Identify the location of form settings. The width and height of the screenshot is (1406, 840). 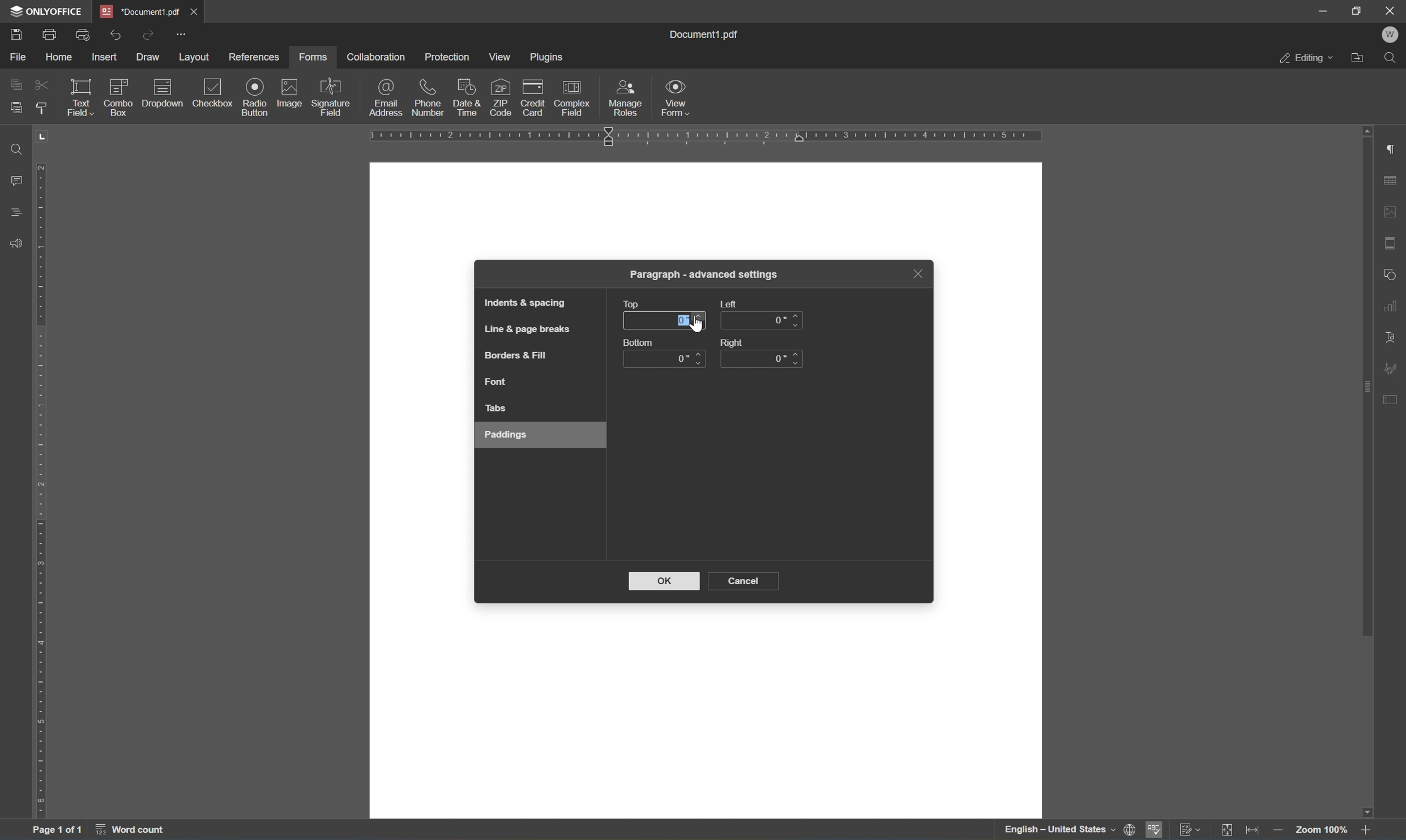
(1394, 398).